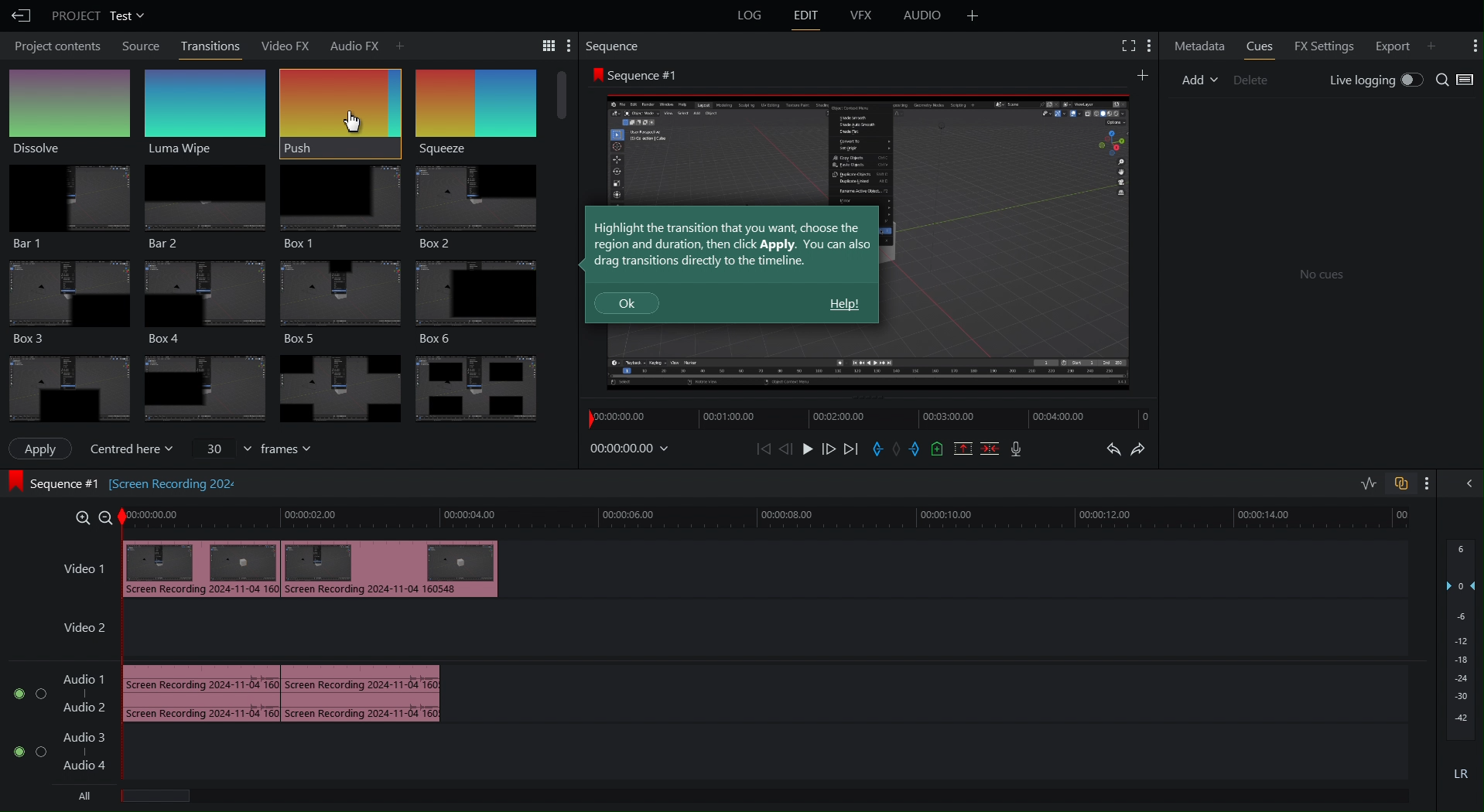 The height and width of the screenshot is (812, 1484). What do you see at coordinates (477, 208) in the screenshot?
I see `Box 2` at bounding box center [477, 208].